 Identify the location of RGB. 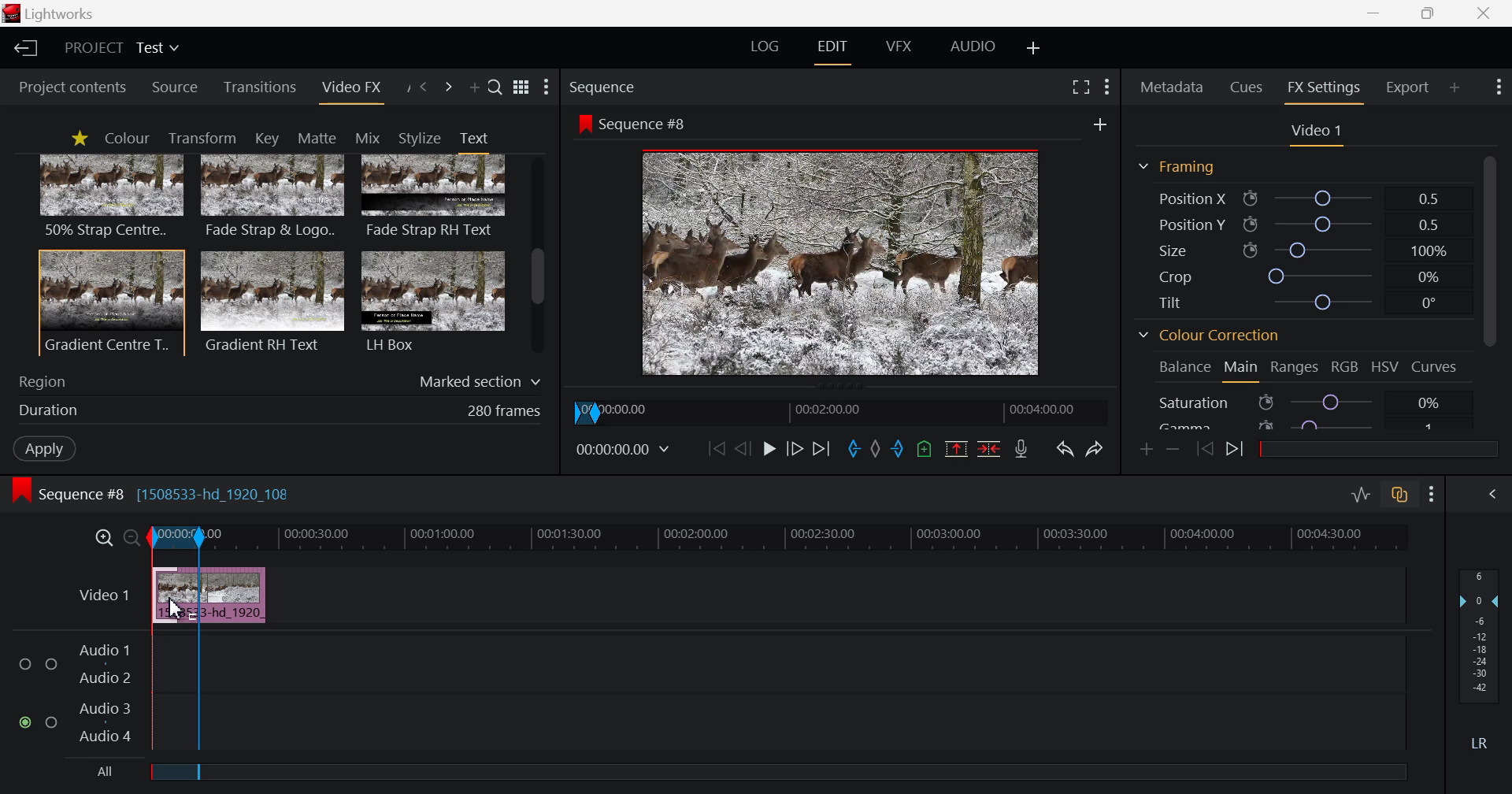
(1345, 369).